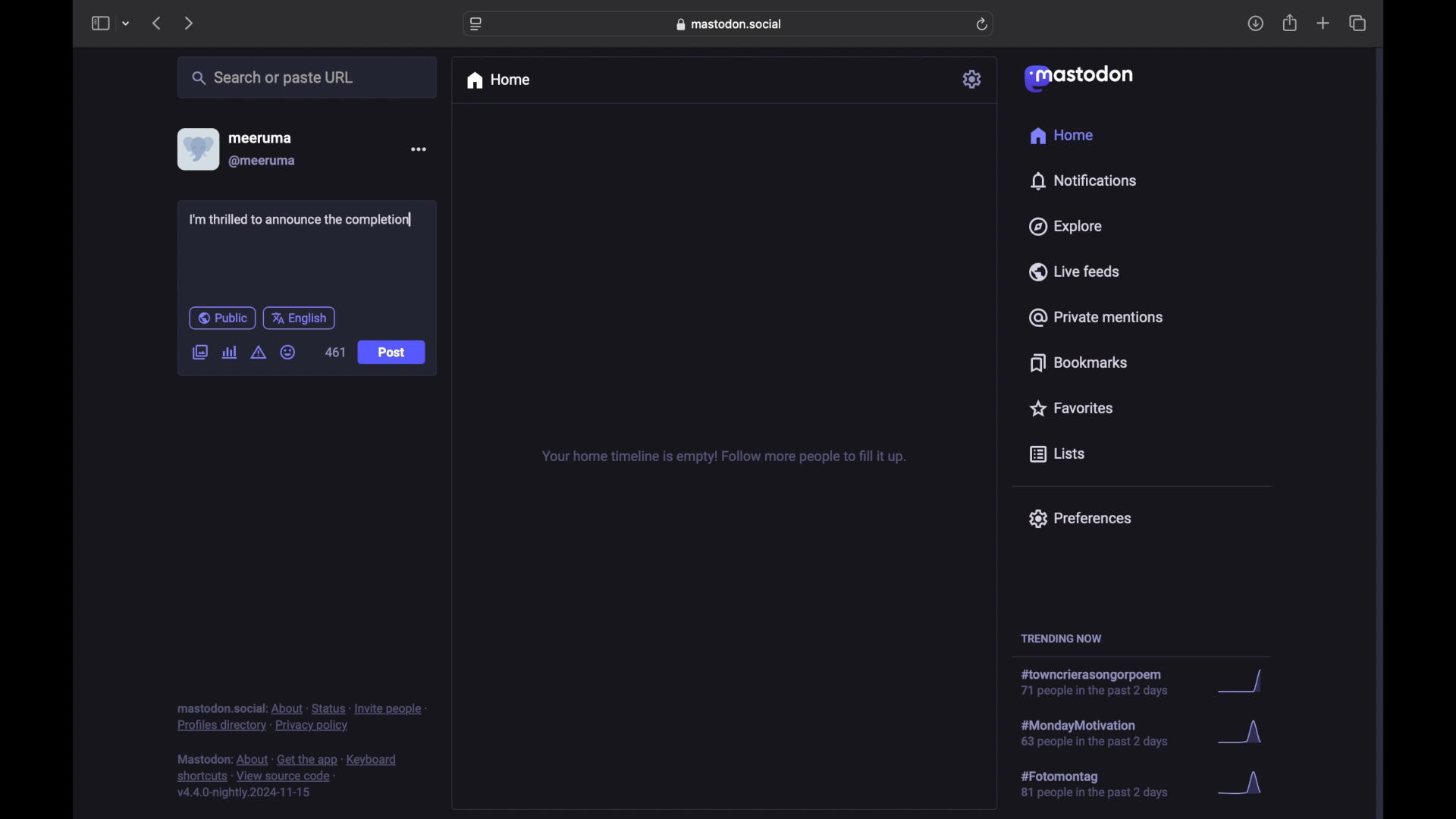 The image size is (1456, 819). Describe the element at coordinates (973, 79) in the screenshot. I see `settings` at that location.